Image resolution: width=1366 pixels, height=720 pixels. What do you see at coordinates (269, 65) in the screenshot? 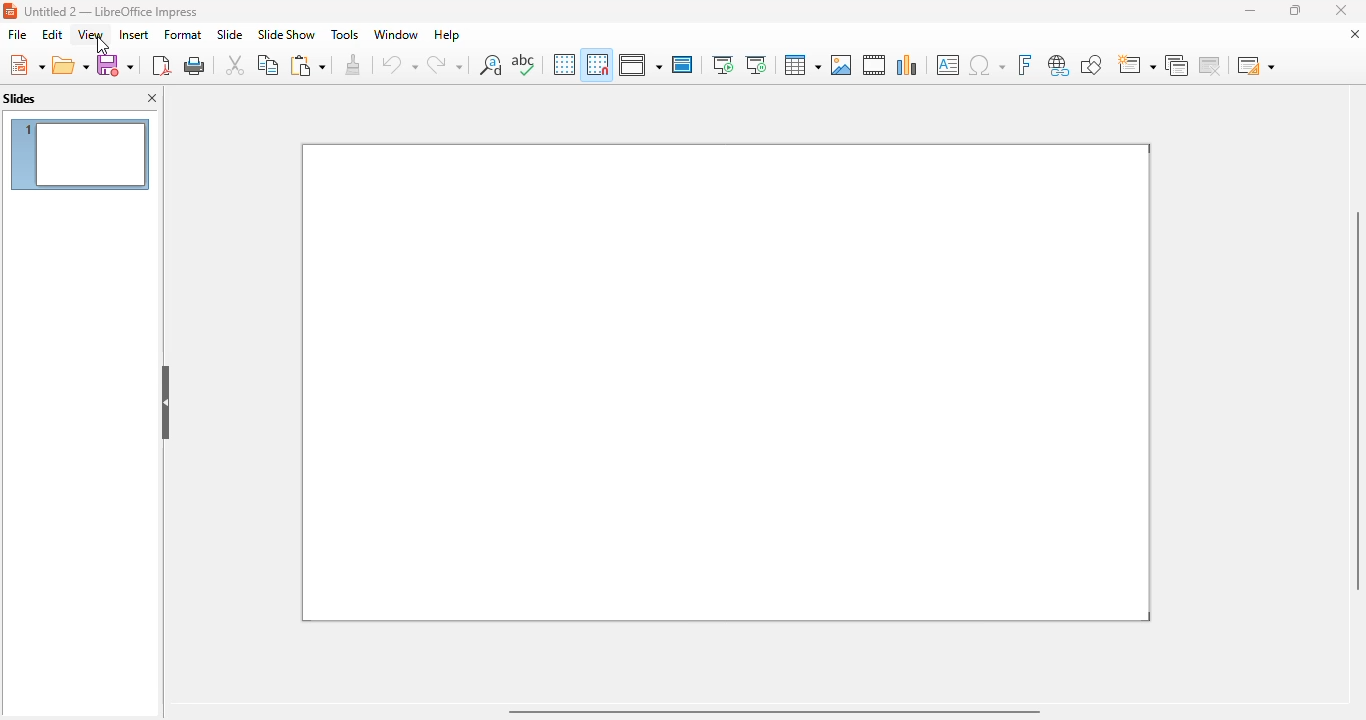
I see `copy` at bounding box center [269, 65].